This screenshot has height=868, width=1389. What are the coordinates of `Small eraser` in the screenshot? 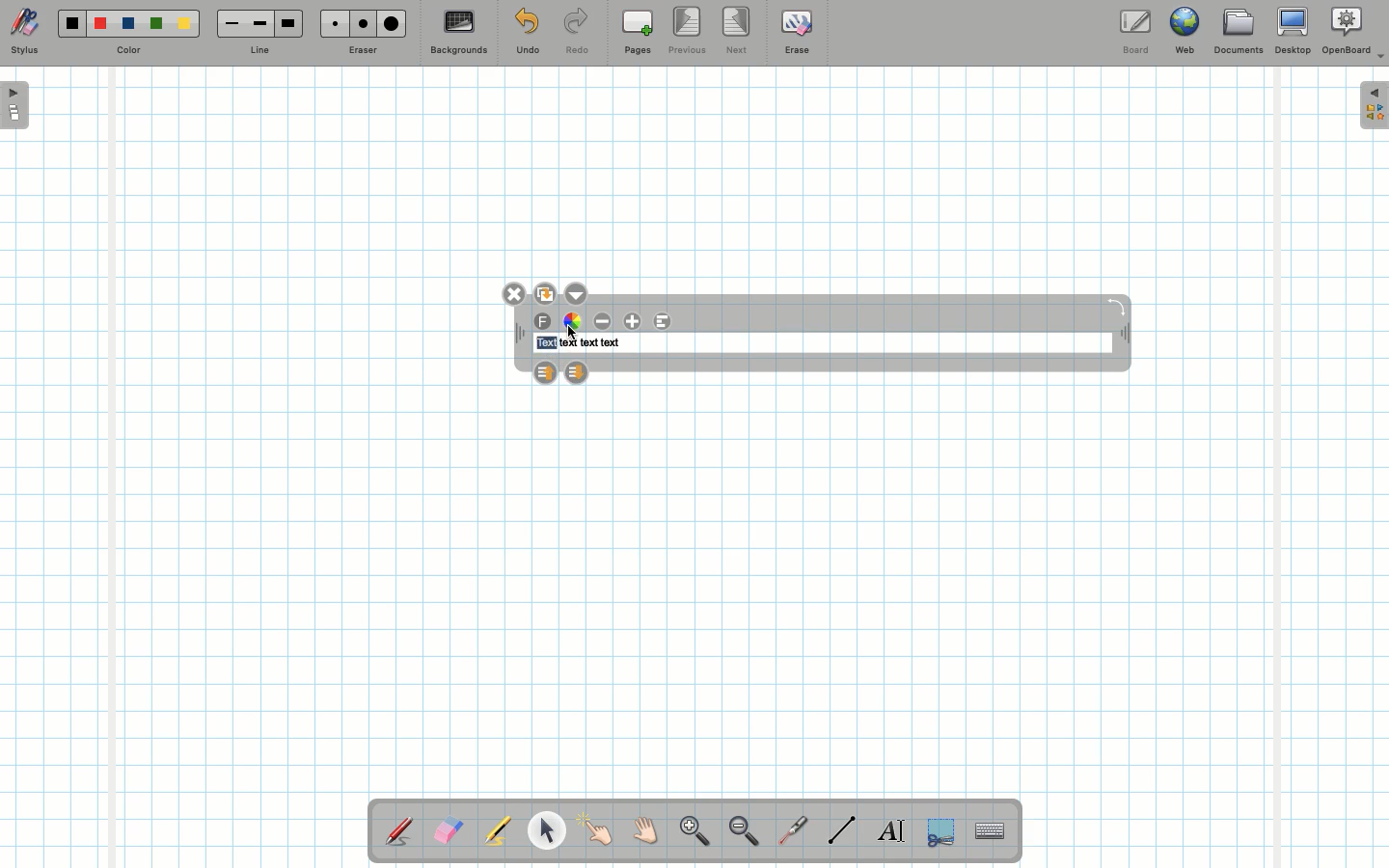 It's located at (330, 23).